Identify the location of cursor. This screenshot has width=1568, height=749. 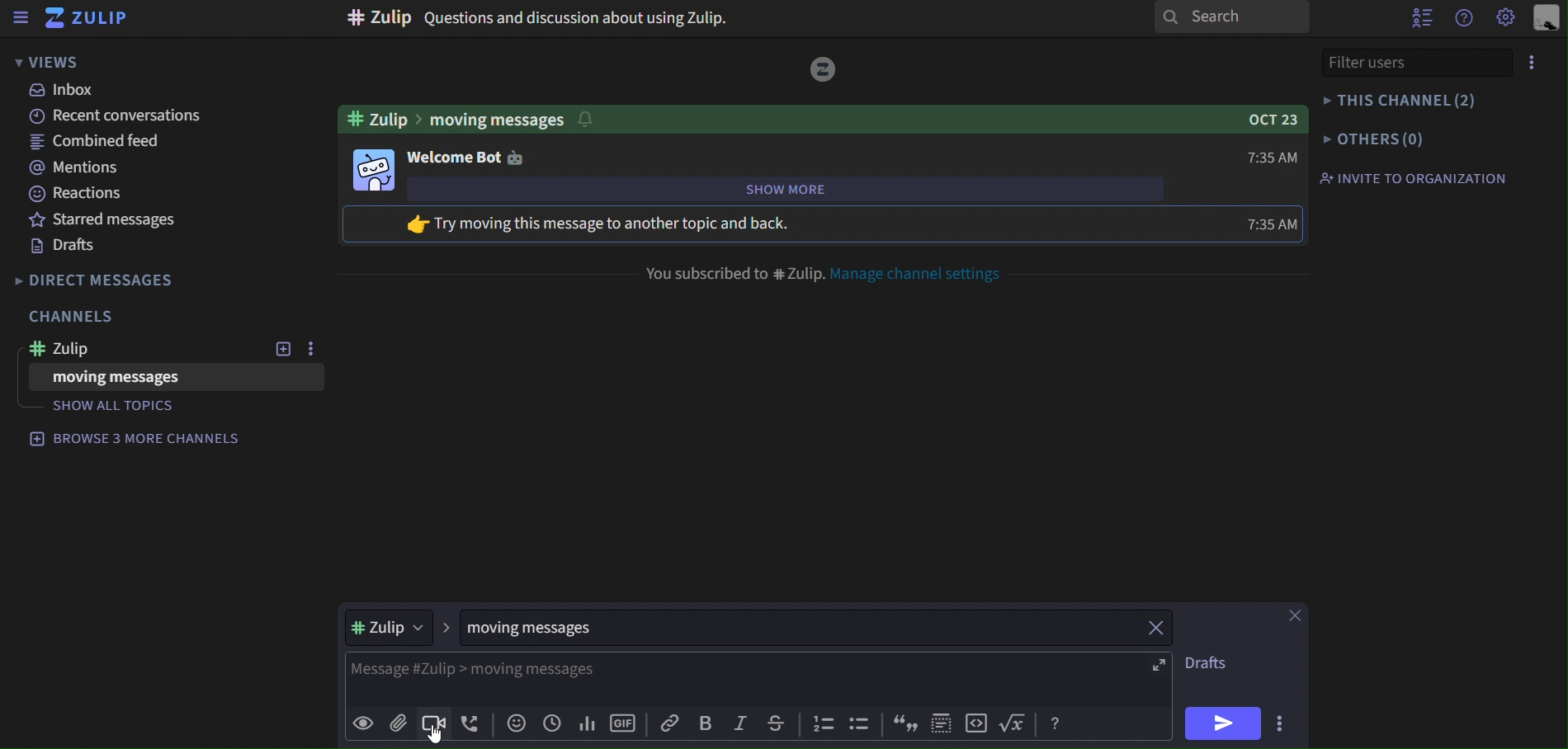
(440, 737).